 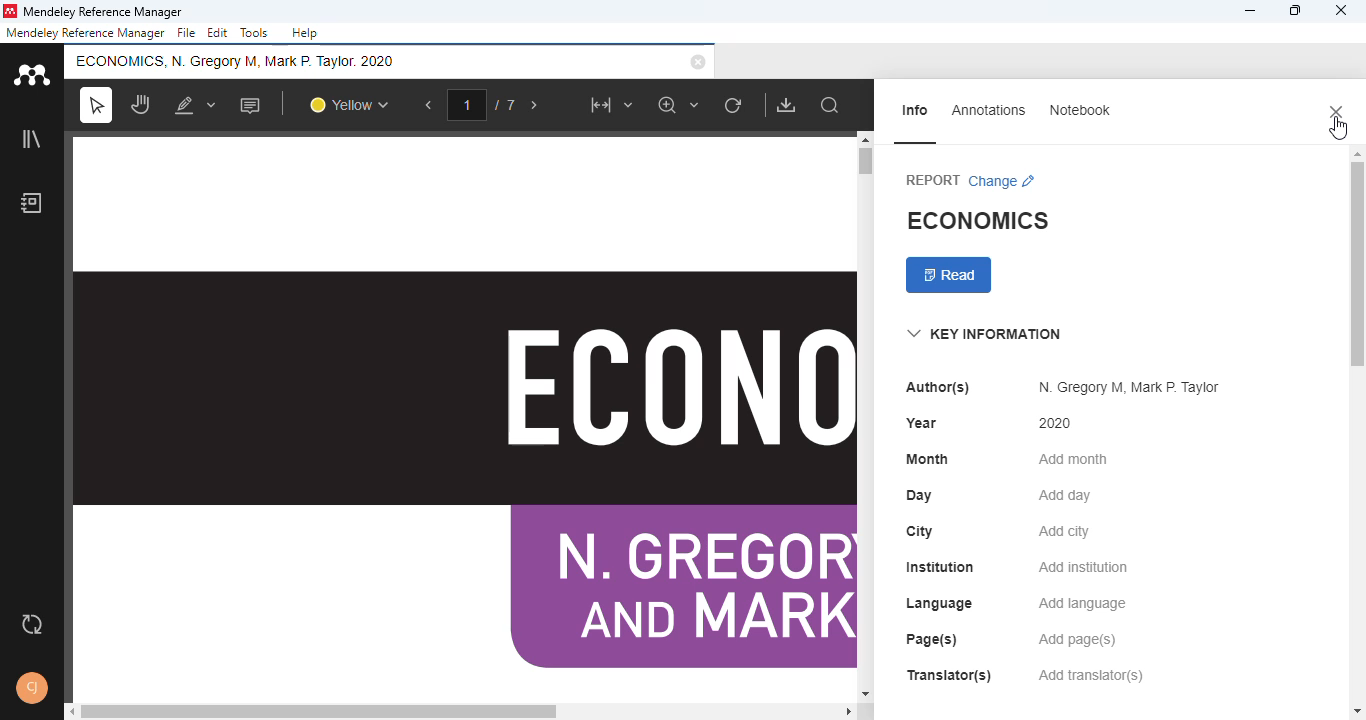 I want to click on mendeley reference manager, so click(x=106, y=10).